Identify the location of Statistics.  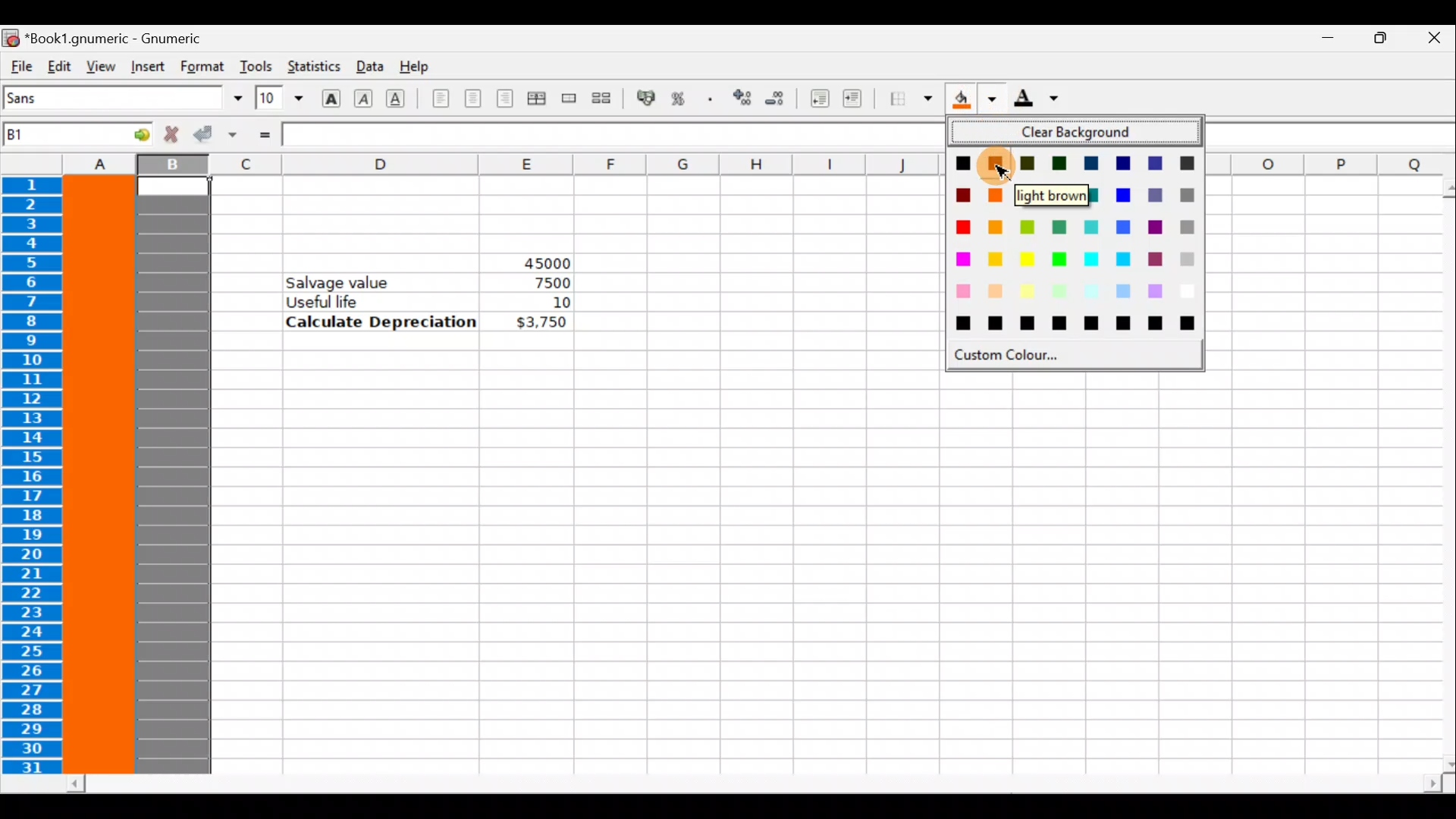
(312, 67).